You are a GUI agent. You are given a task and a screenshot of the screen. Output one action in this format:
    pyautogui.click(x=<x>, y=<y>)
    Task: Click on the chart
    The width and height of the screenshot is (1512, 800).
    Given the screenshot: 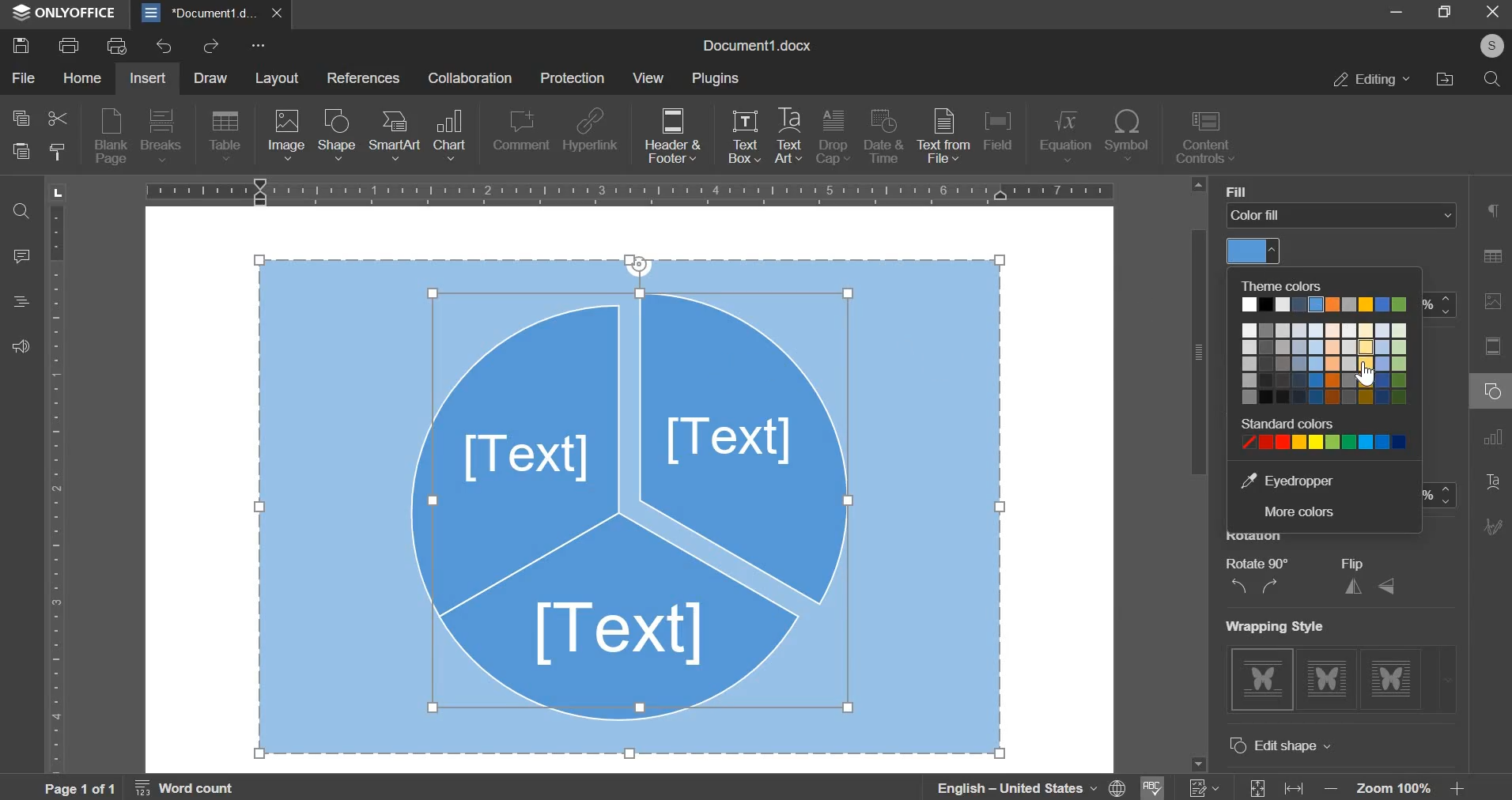 What is the action you would take?
    pyautogui.click(x=450, y=135)
    